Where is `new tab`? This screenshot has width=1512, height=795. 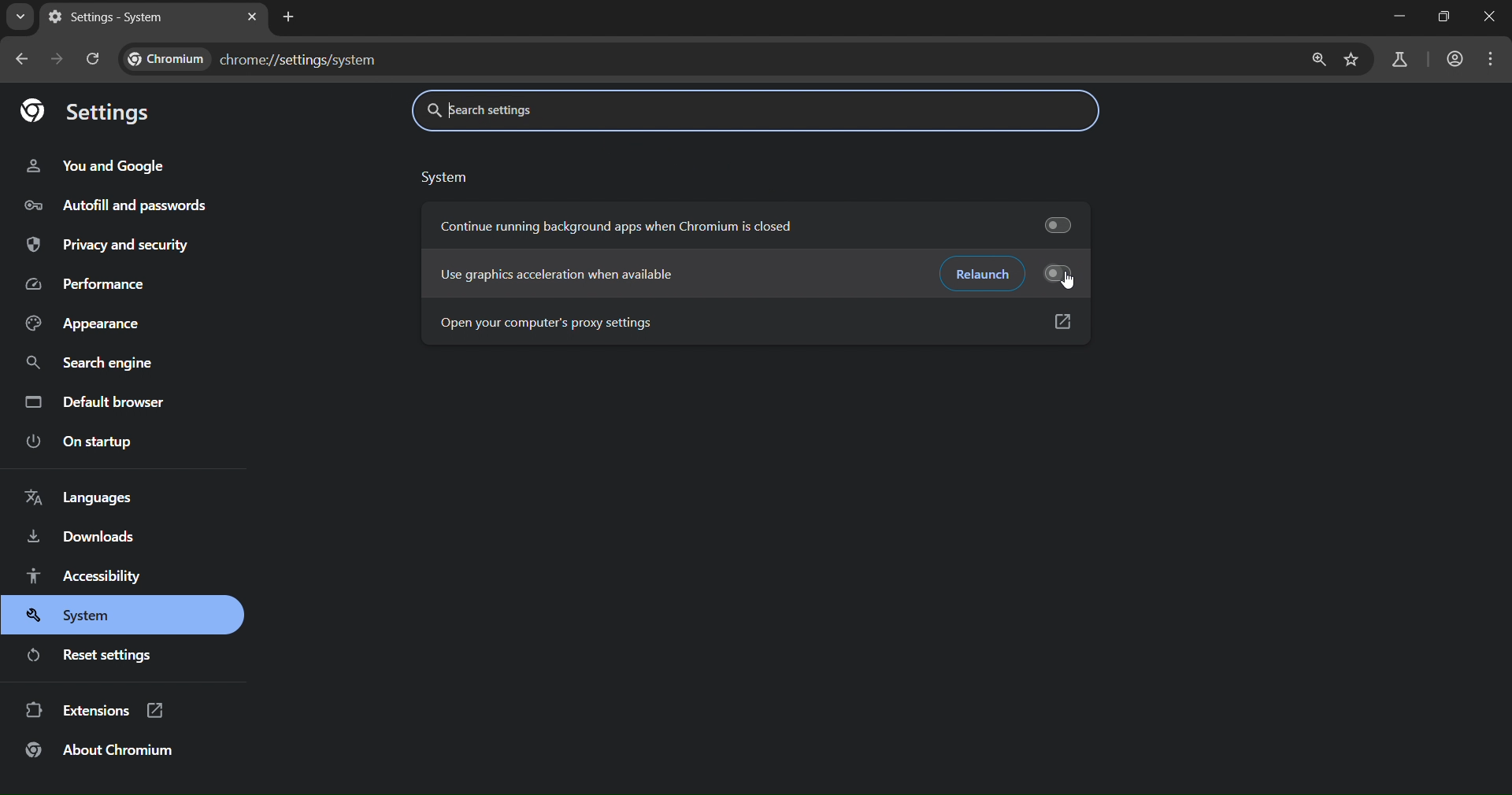 new tab is located at coordinates (291, 19).